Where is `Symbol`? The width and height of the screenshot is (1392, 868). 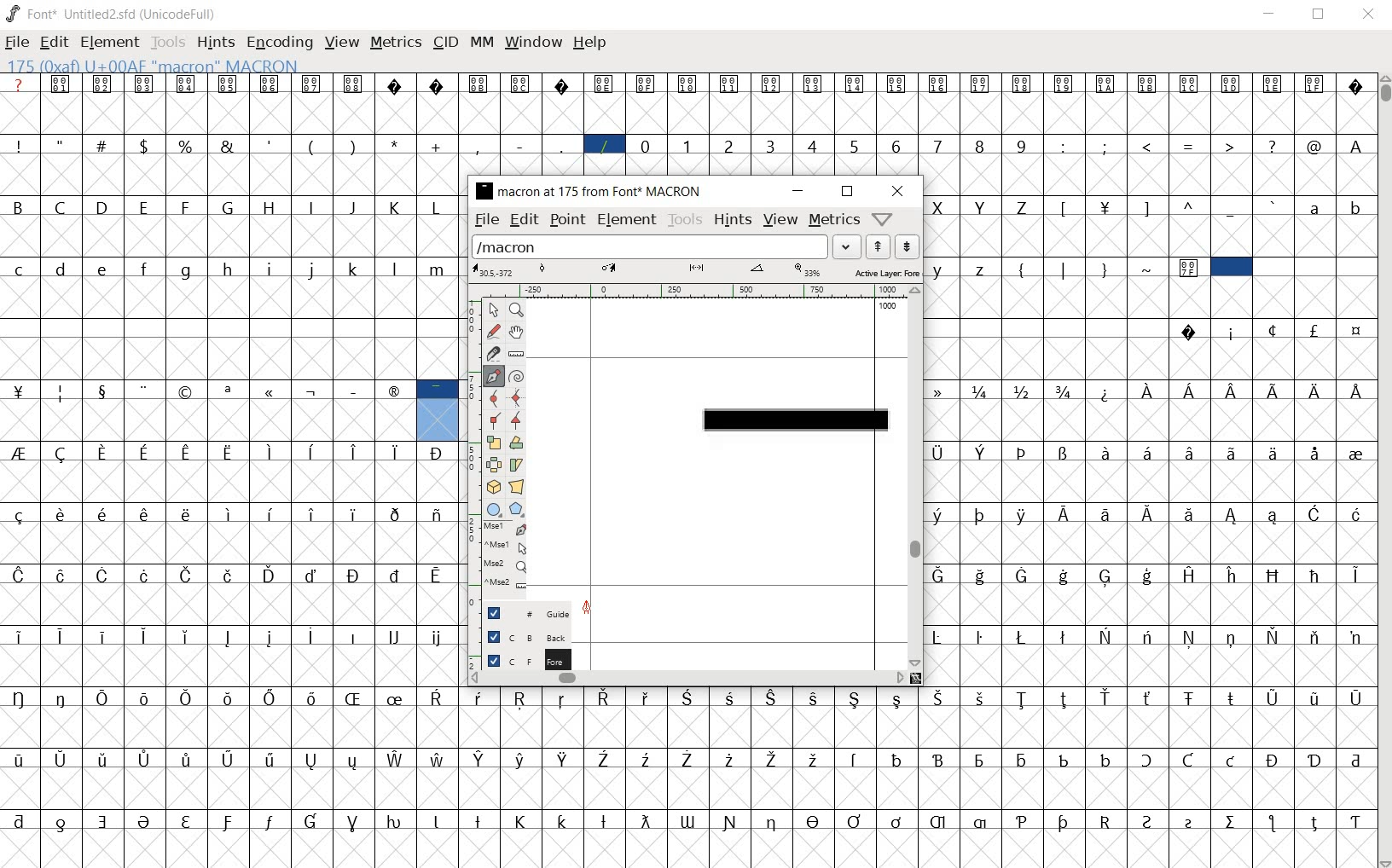 Symbol is located at coordinates (63, 635).